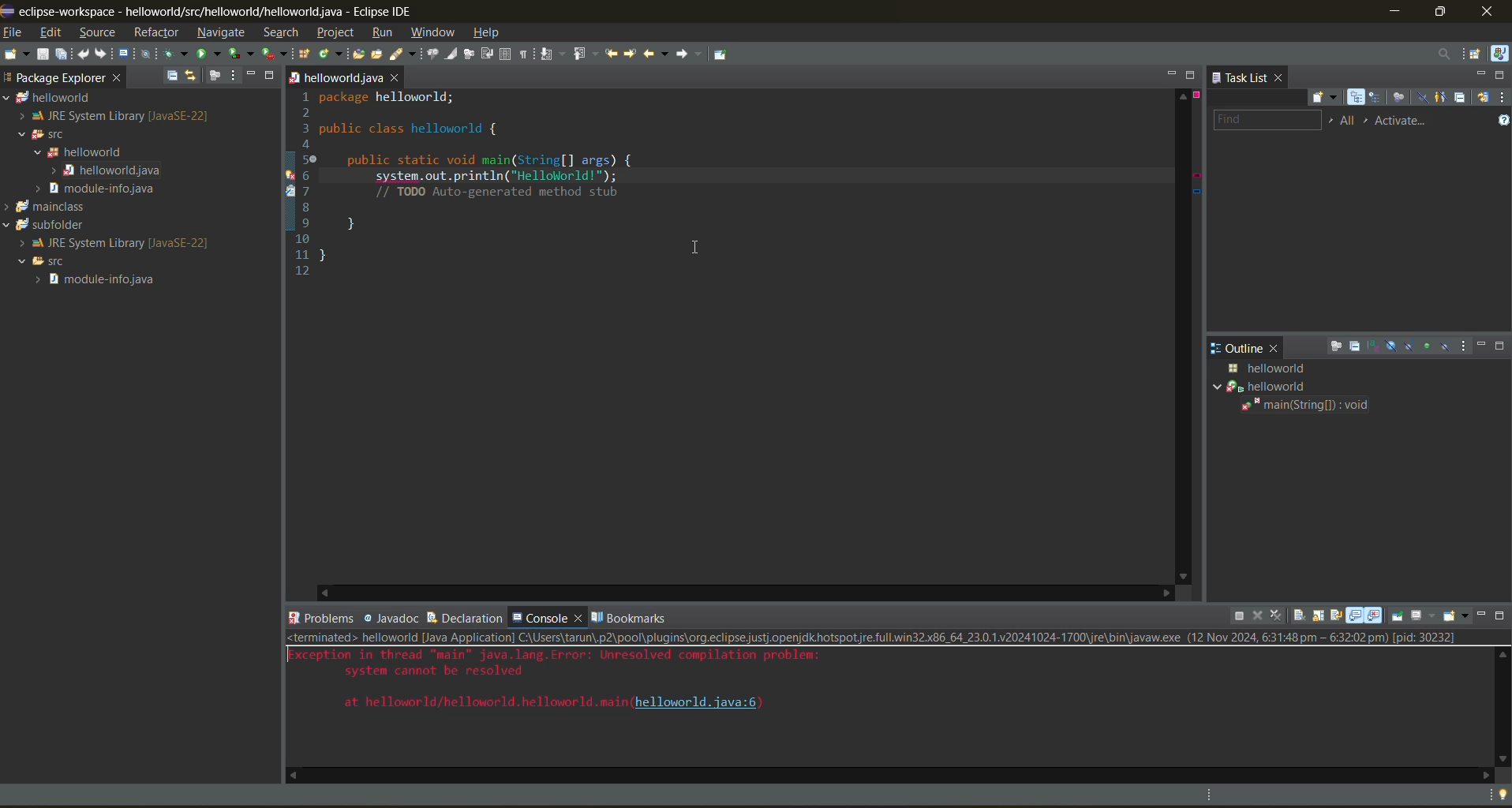  I want to click on automatically fold uninteresting elements, so click(470, 55).